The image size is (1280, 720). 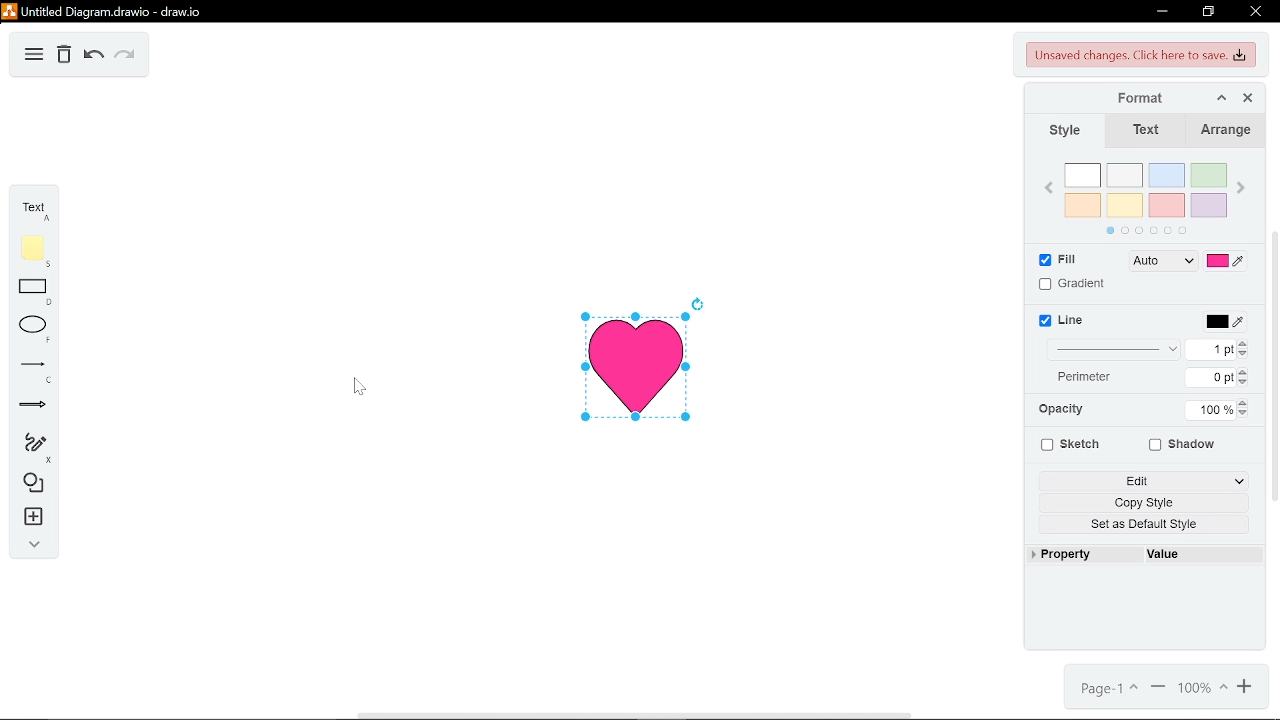 What do you see at coordinates (1105, 689) in the screenshot?
I see `page1` at bounding box center [1105, 689].